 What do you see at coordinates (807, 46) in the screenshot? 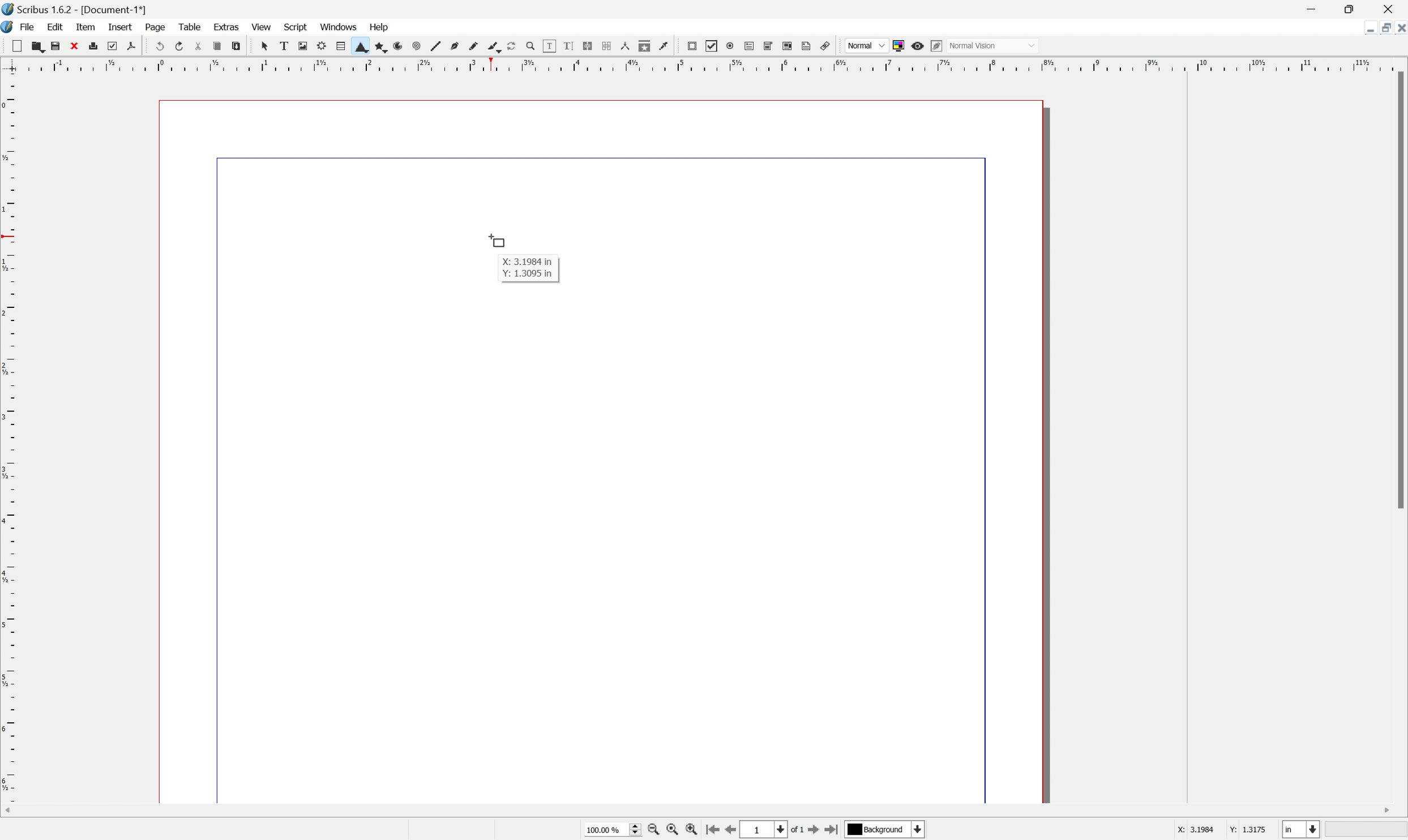
I see `Text annotation` at bounding box center [807, 46].